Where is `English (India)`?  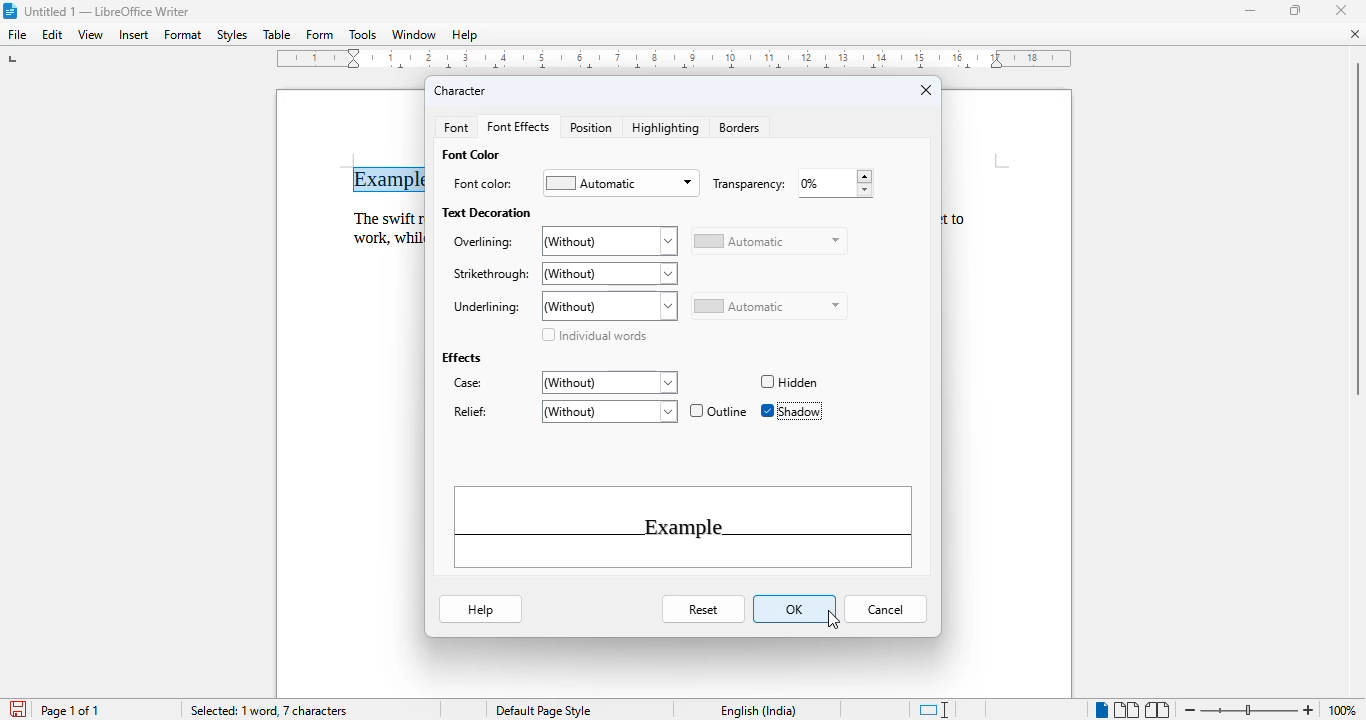 English (India) is located at coordinates (759, 711).